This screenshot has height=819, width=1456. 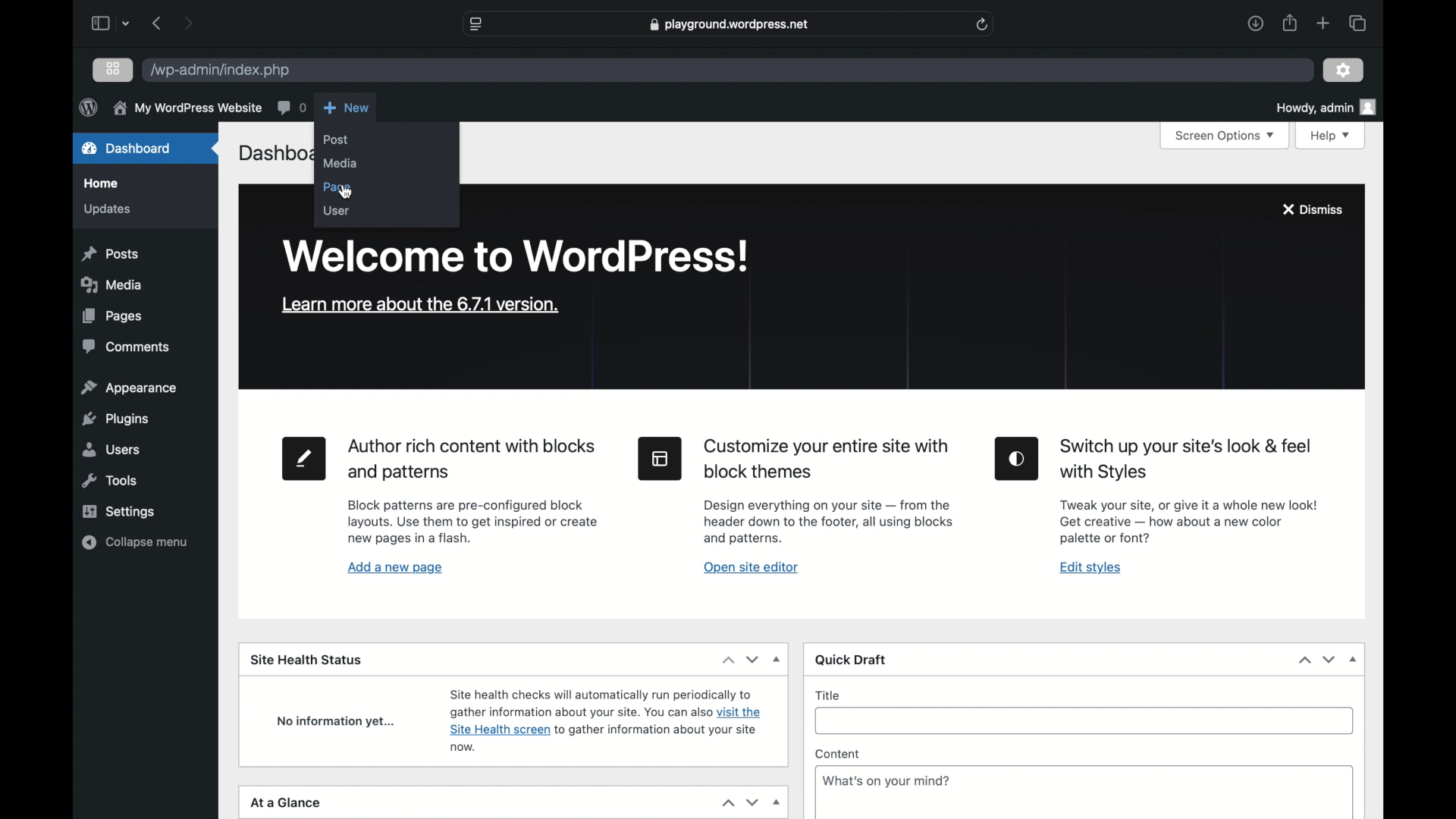 I want to click on posts, so click(x=111, y=255).